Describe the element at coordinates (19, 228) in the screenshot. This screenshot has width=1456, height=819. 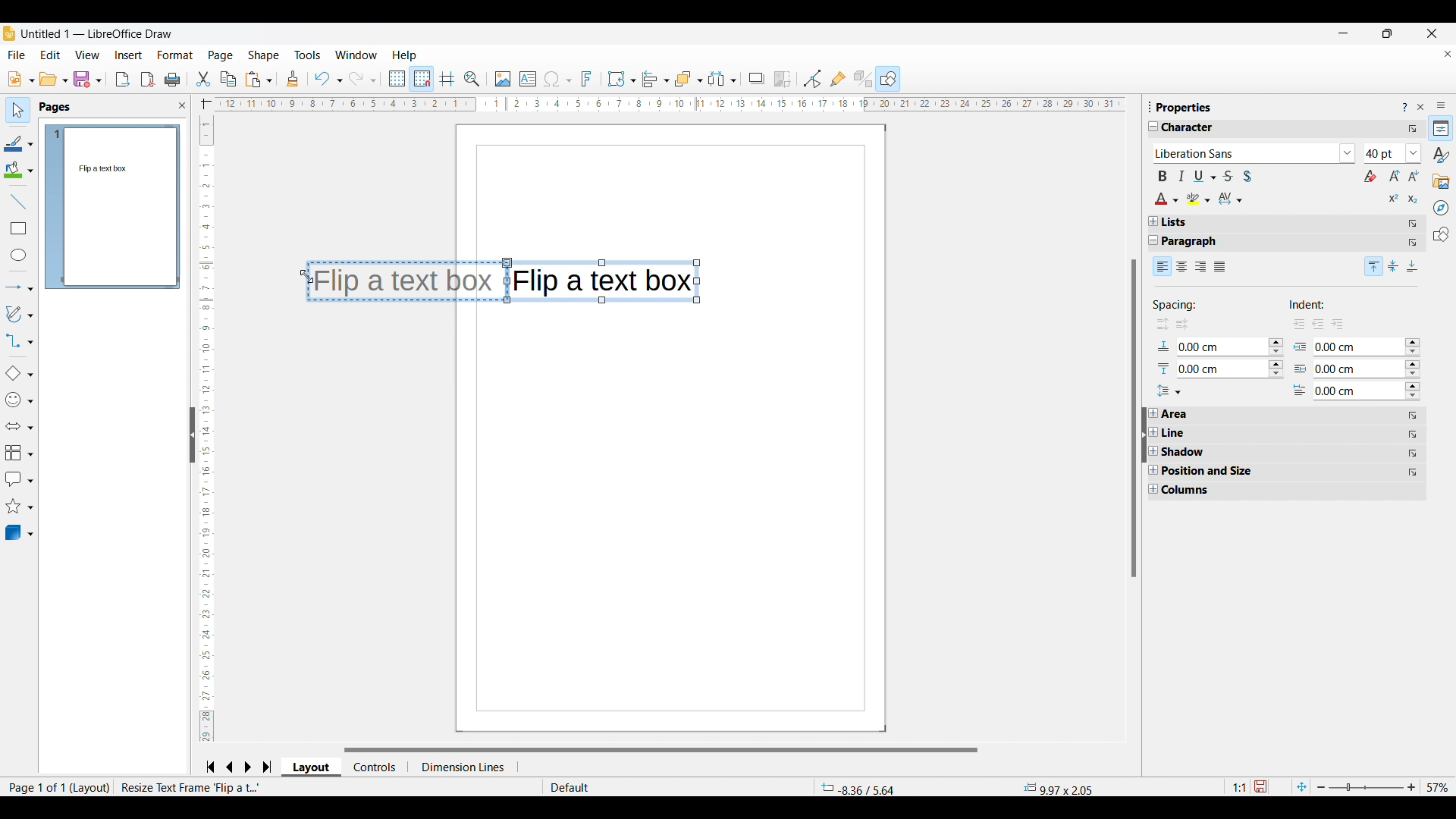
I see `Insert rectangle` at that location.